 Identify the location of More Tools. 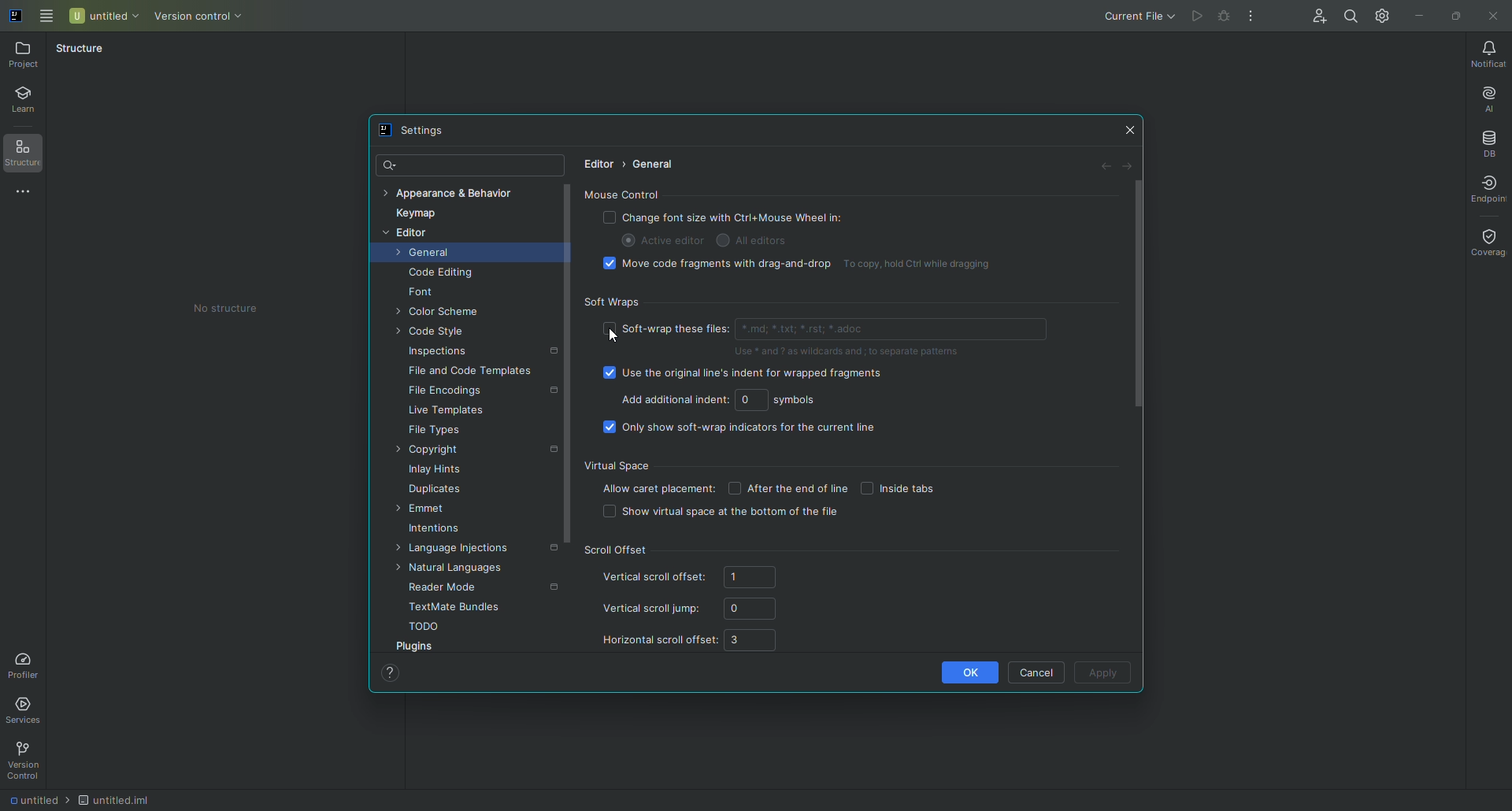
(27, 194).